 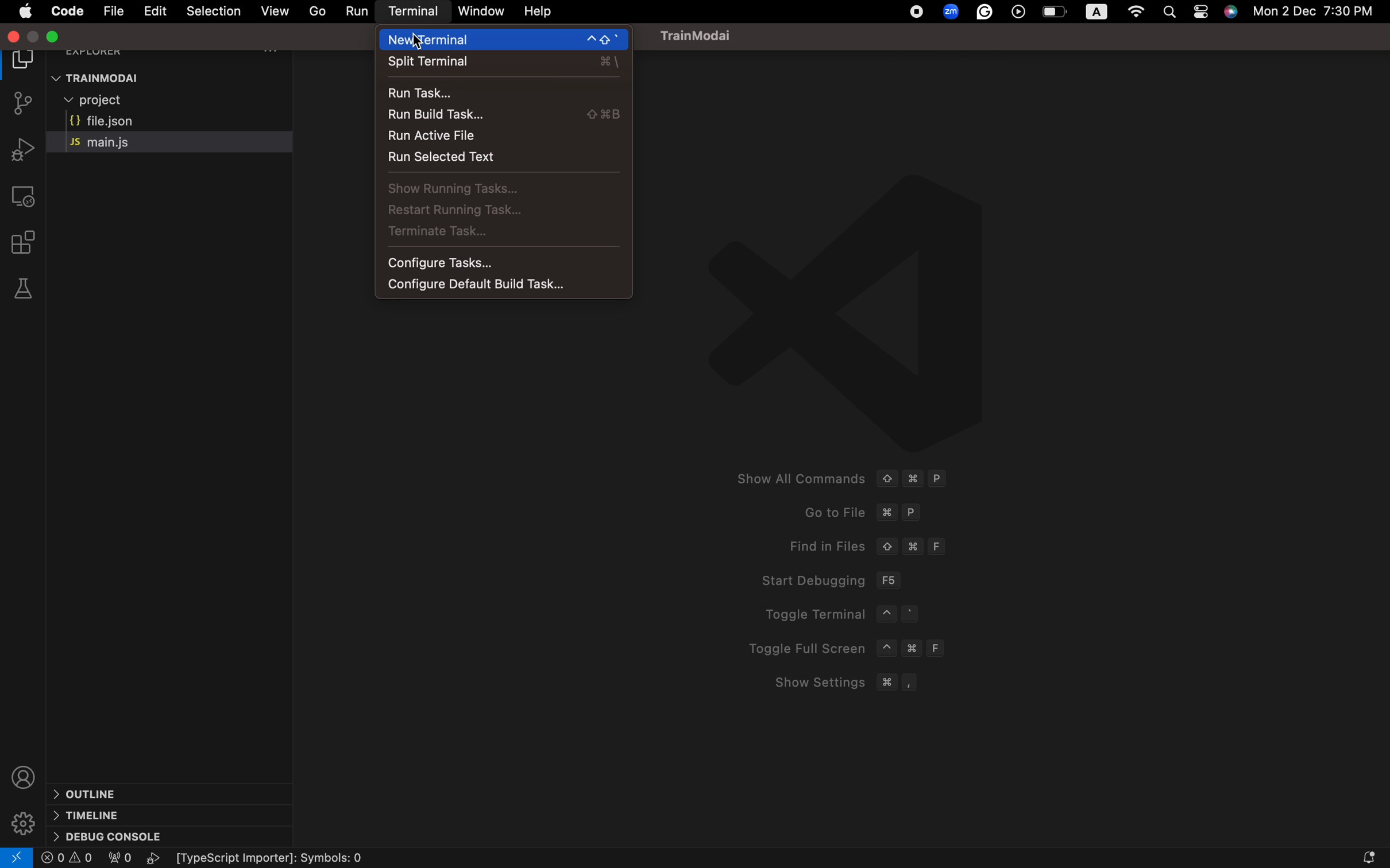 What do you see at coordinates (1055, 13) in the screenshot?
I see `Battery` at bounding box center [1055, 13].